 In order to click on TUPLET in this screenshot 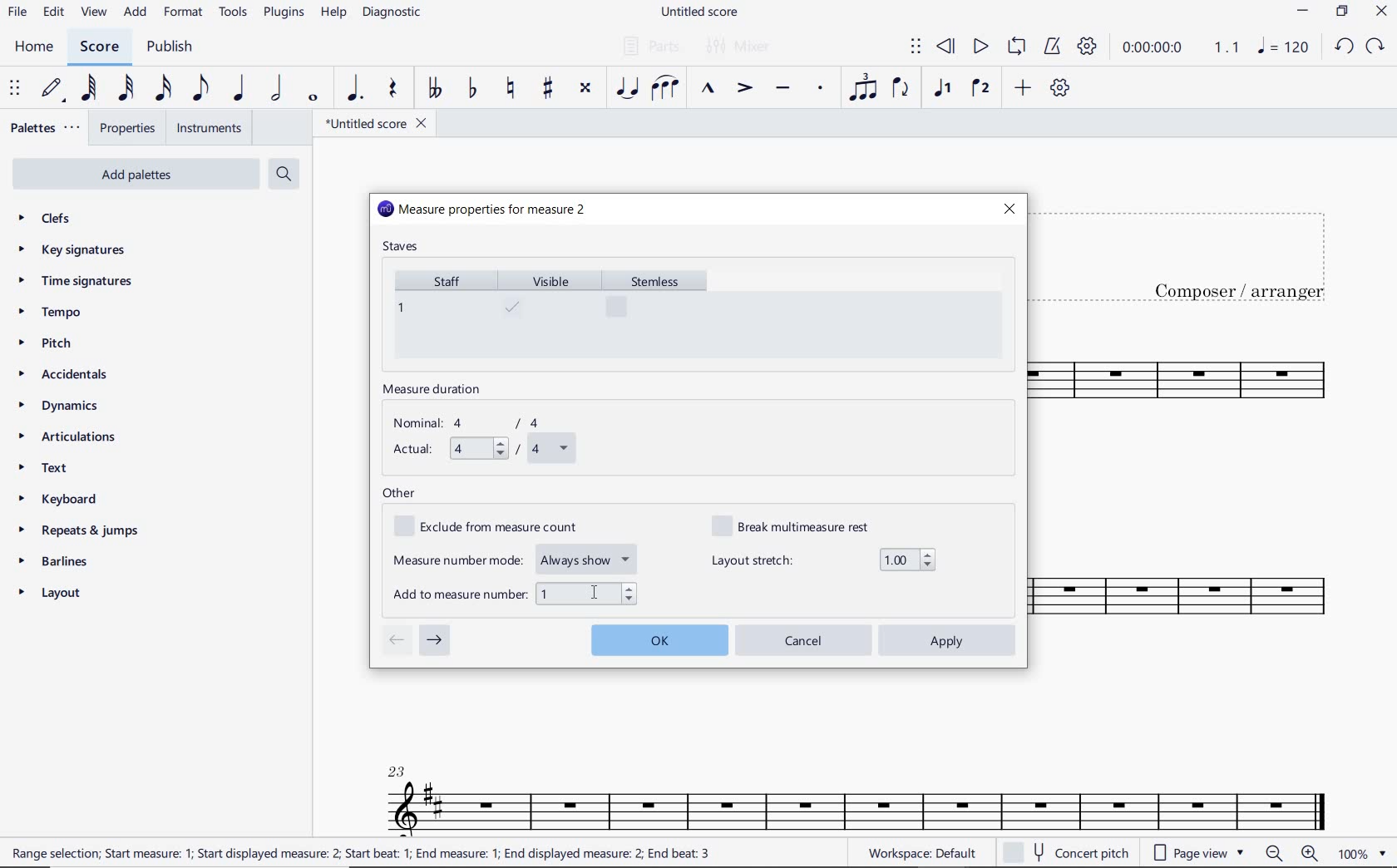, I will do `click(865, 87)`.